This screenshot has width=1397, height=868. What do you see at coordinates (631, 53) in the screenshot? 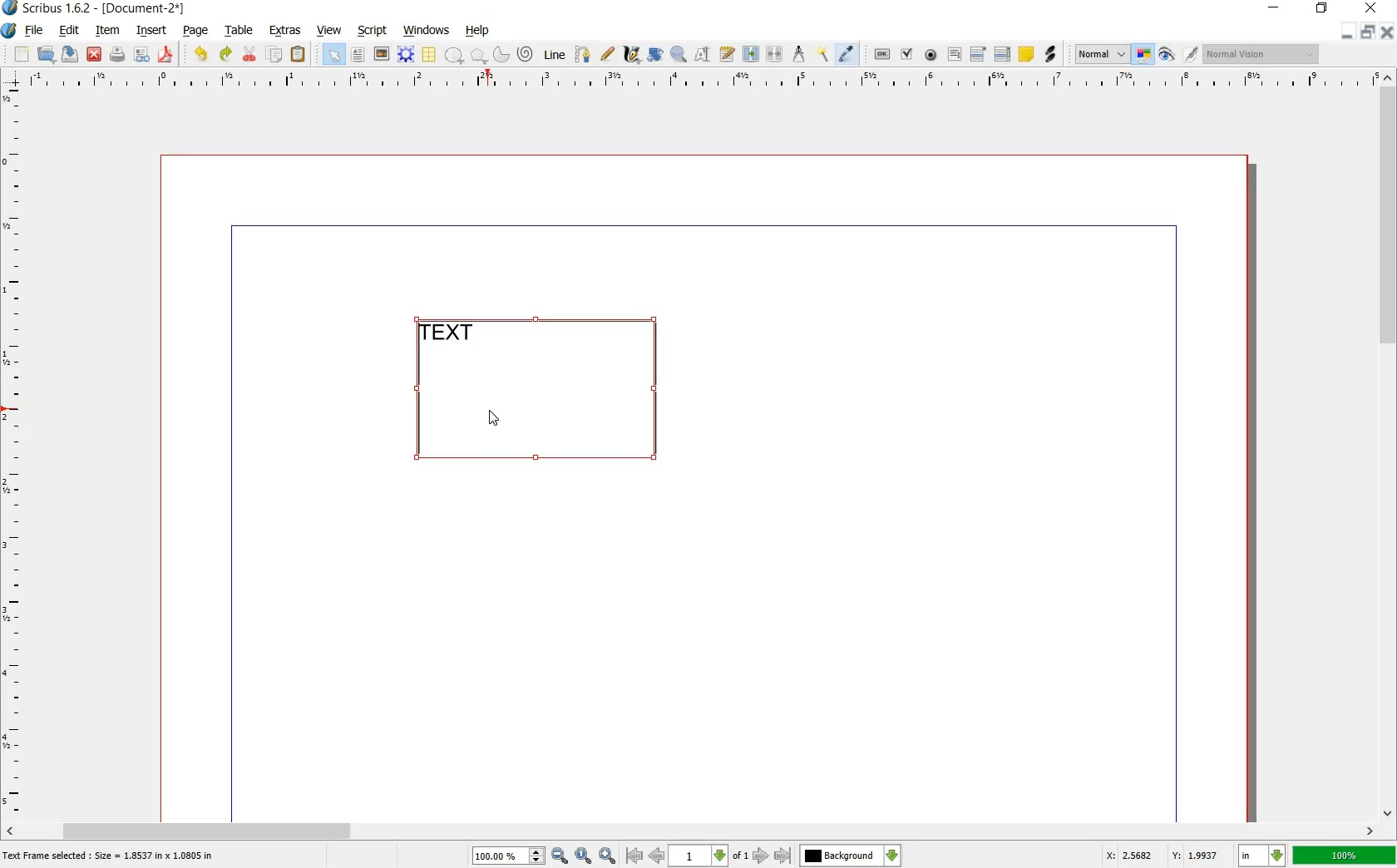
I see `calligraphic line` at bounding box center [631, 53].